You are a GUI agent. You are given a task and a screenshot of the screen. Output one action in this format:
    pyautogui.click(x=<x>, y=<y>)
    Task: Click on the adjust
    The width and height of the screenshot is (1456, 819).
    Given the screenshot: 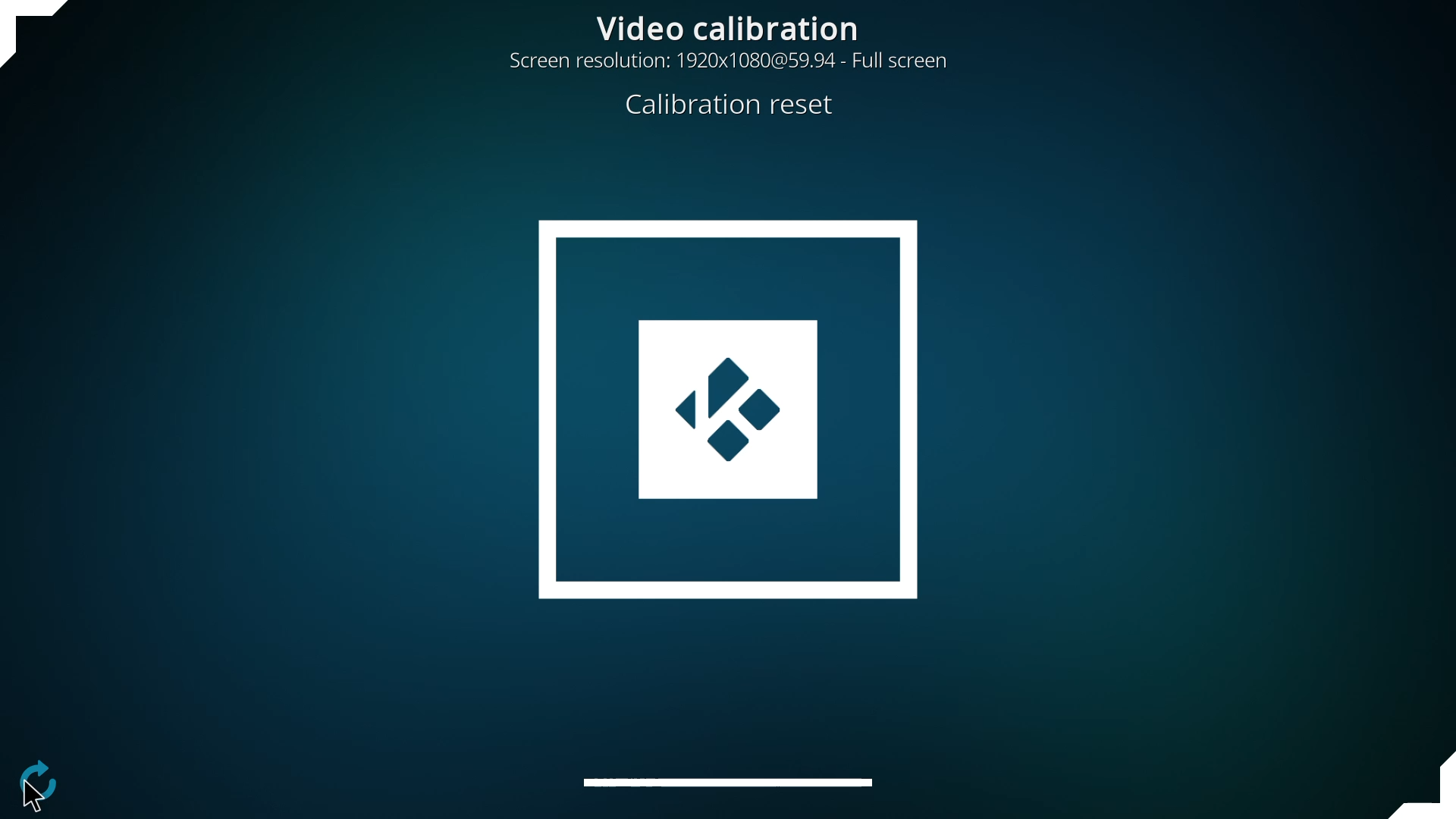 What is the action you would take?
    pyautogui.click(x=1417, y=783)
    